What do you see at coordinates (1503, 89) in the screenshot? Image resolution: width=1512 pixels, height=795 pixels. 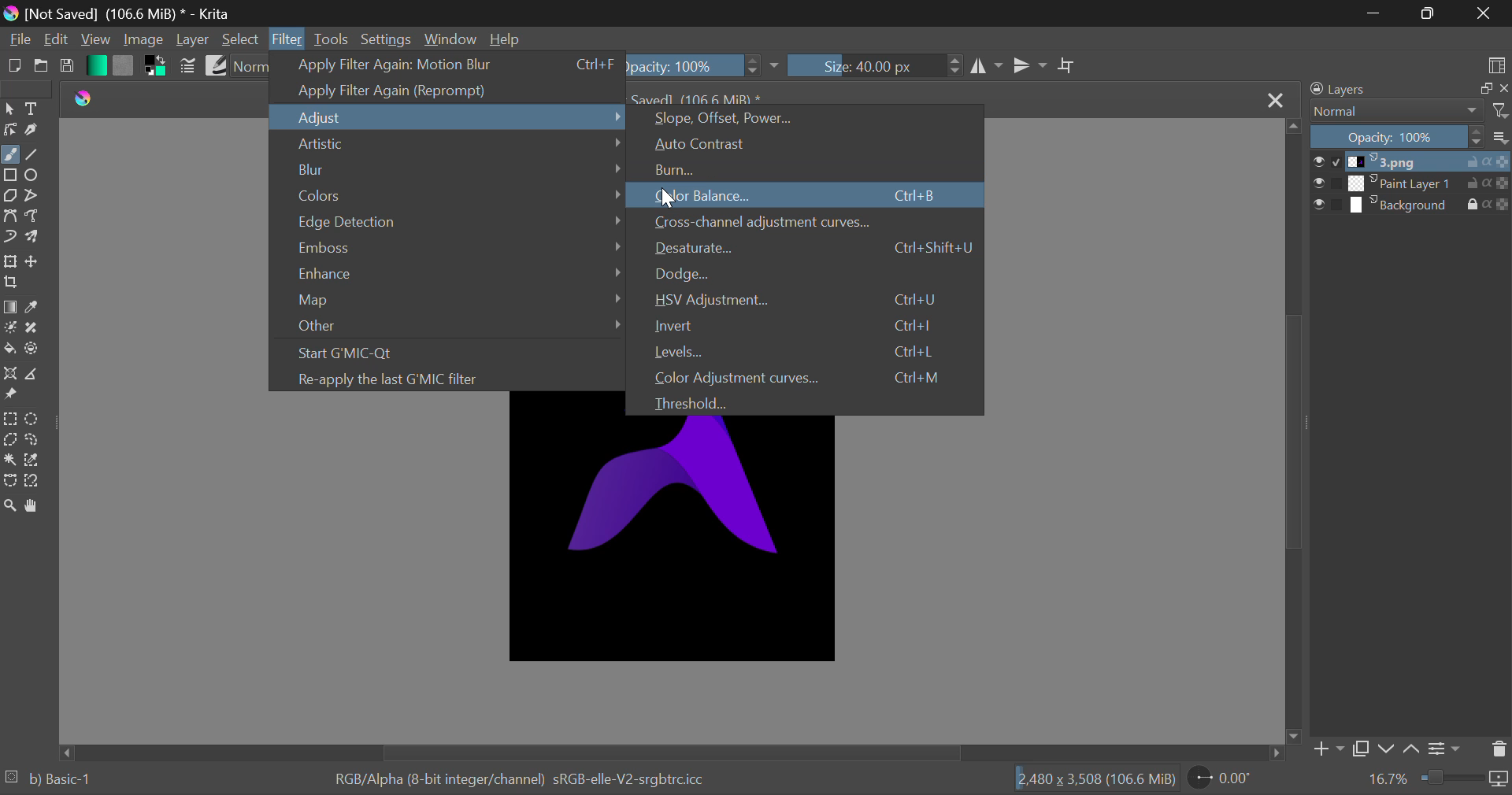 I see `close` at bounding box center [1503, 89].